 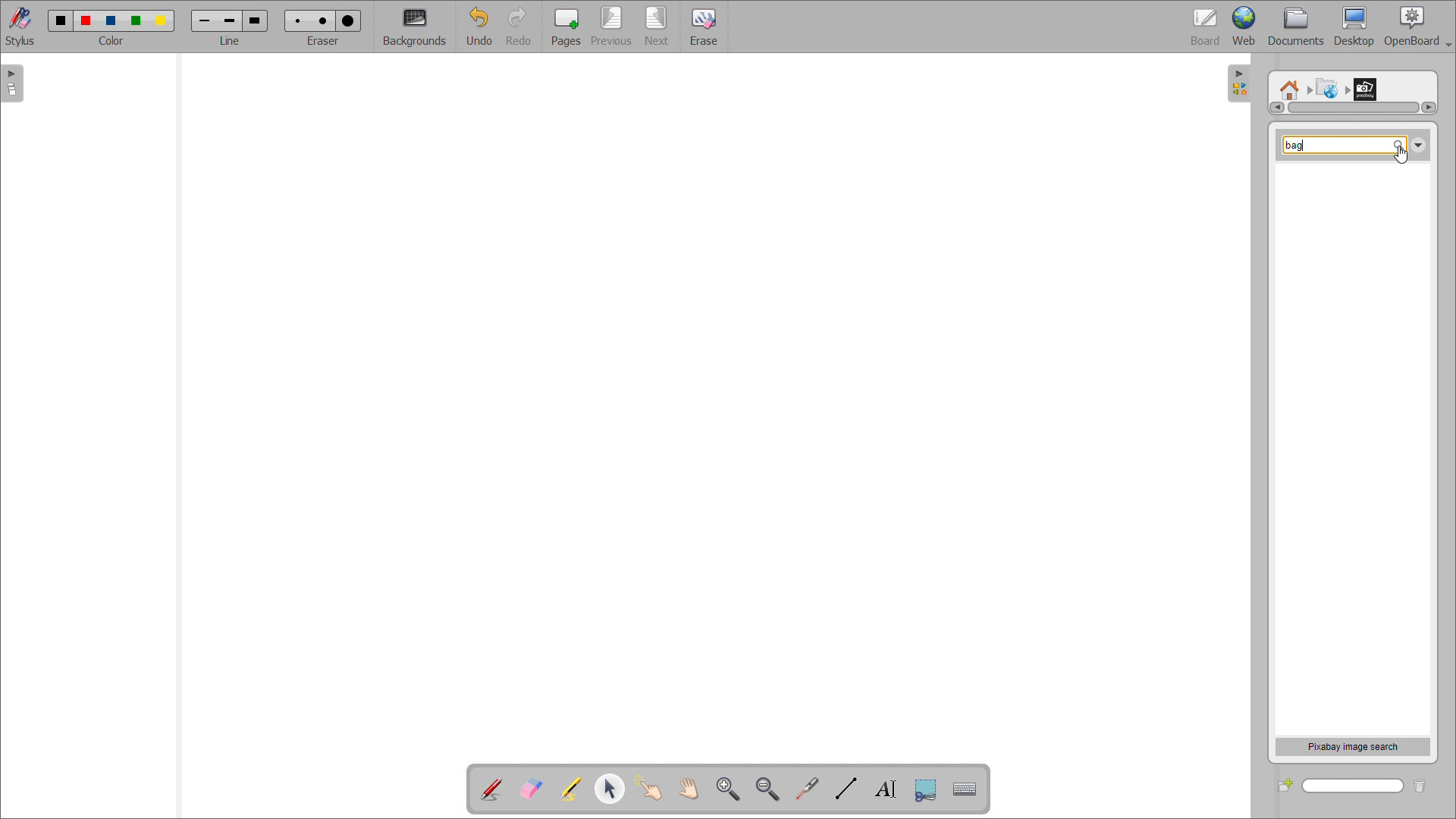 I want to click on eraser, so click(x=325, y=39).